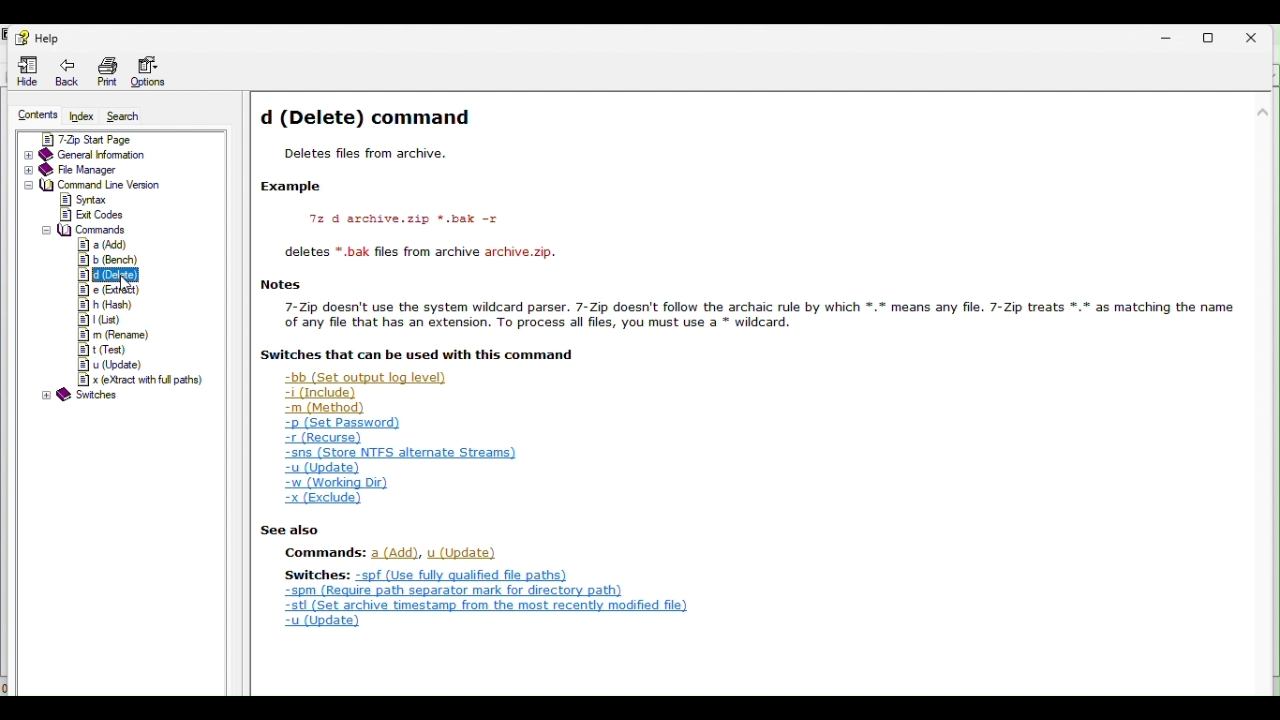 This screenshot has width=1280, height=720. I want to click on d, so click(109, 276).